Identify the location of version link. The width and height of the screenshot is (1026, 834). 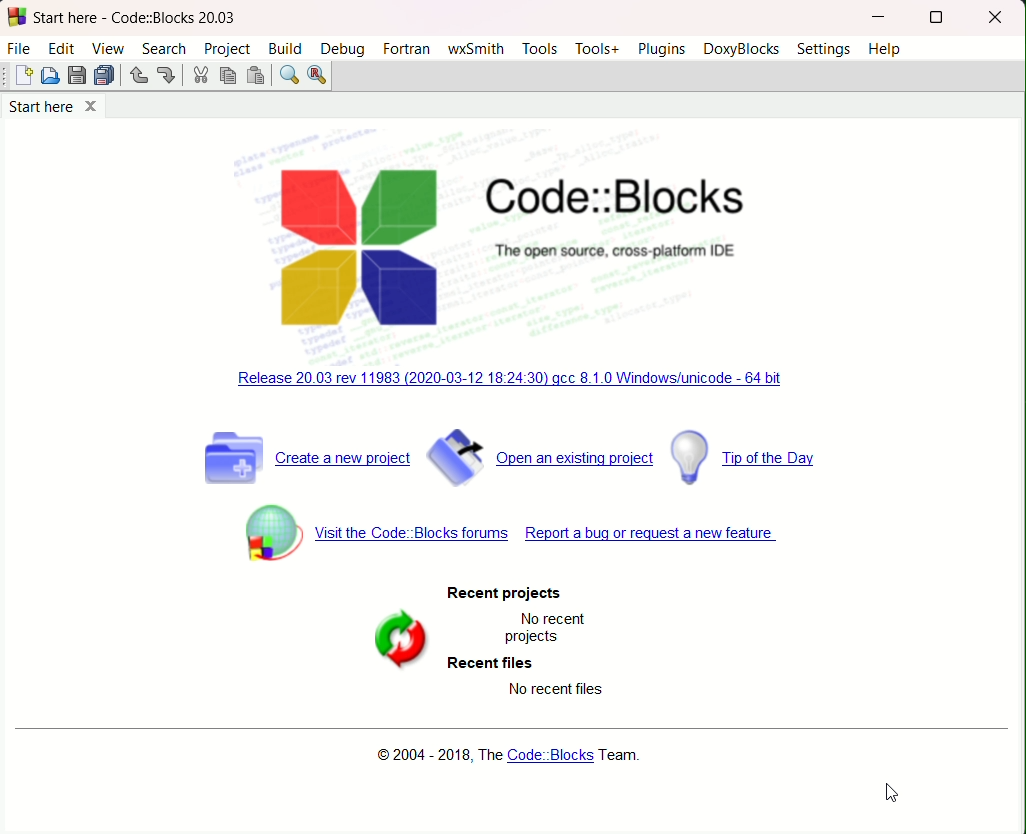
(513, 377).